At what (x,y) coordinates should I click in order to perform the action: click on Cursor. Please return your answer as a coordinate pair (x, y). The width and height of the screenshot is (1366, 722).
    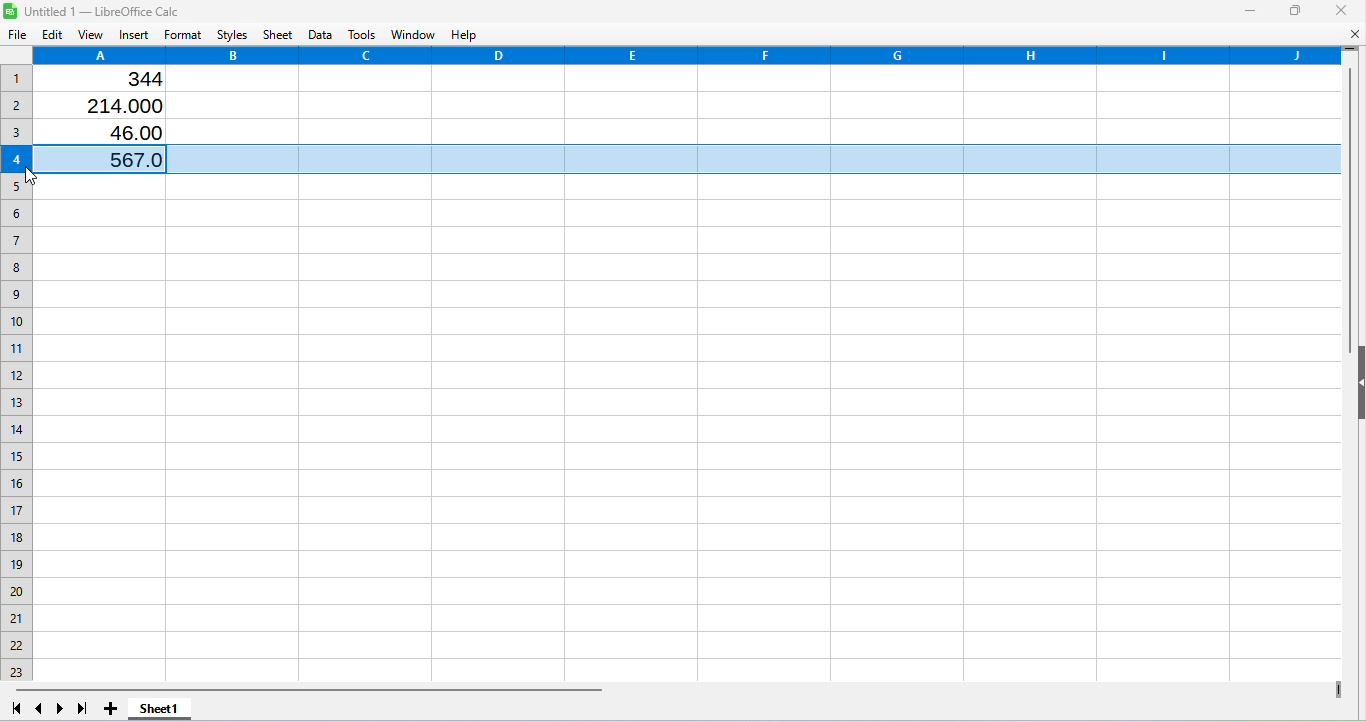
    Looking at the image, I should click on (36, 174).